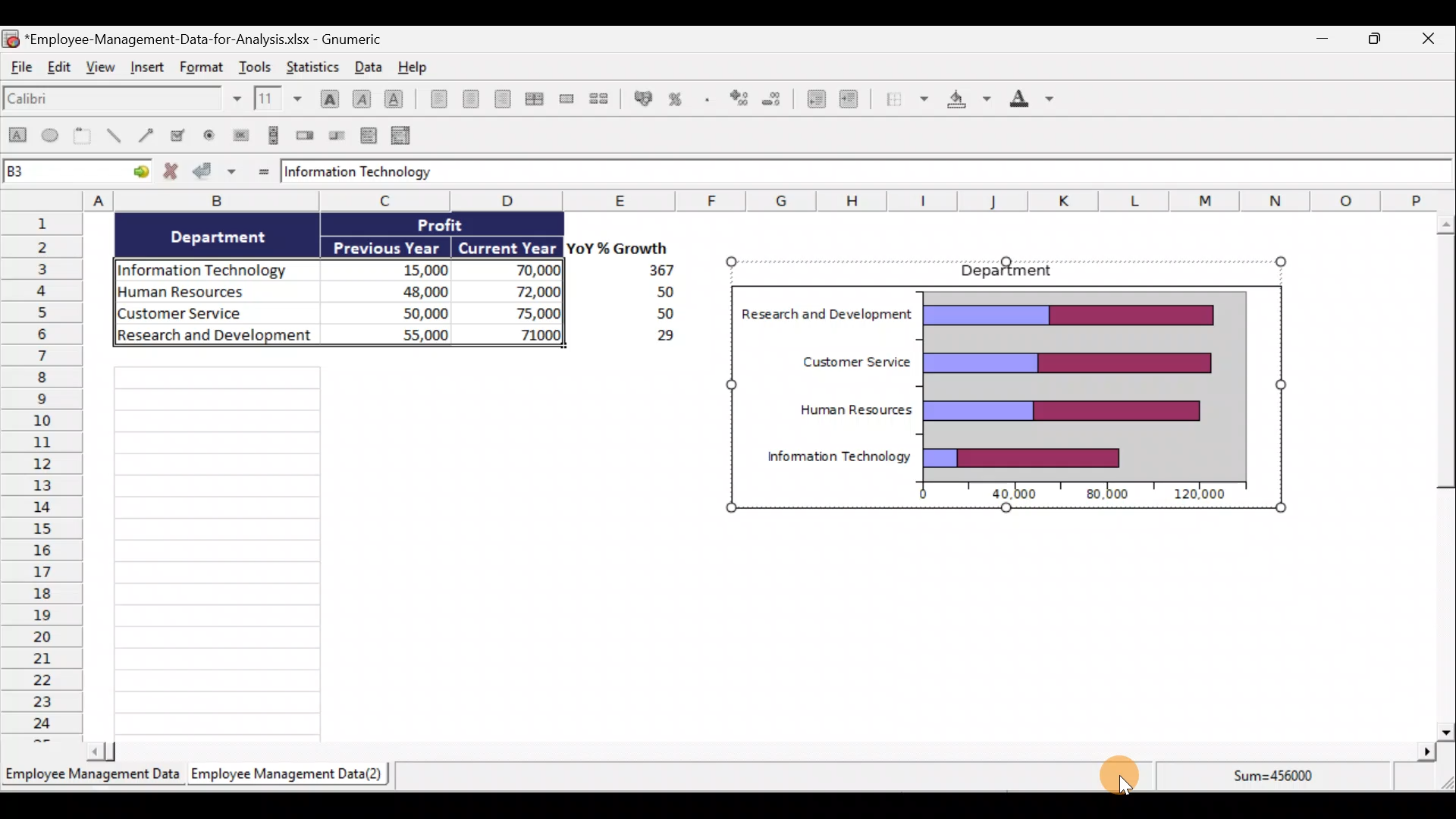 This screenshot has width=1456, height=819. Describe the element at coordinates (716, 201) in the screenshot. I see `Columns` at that location.